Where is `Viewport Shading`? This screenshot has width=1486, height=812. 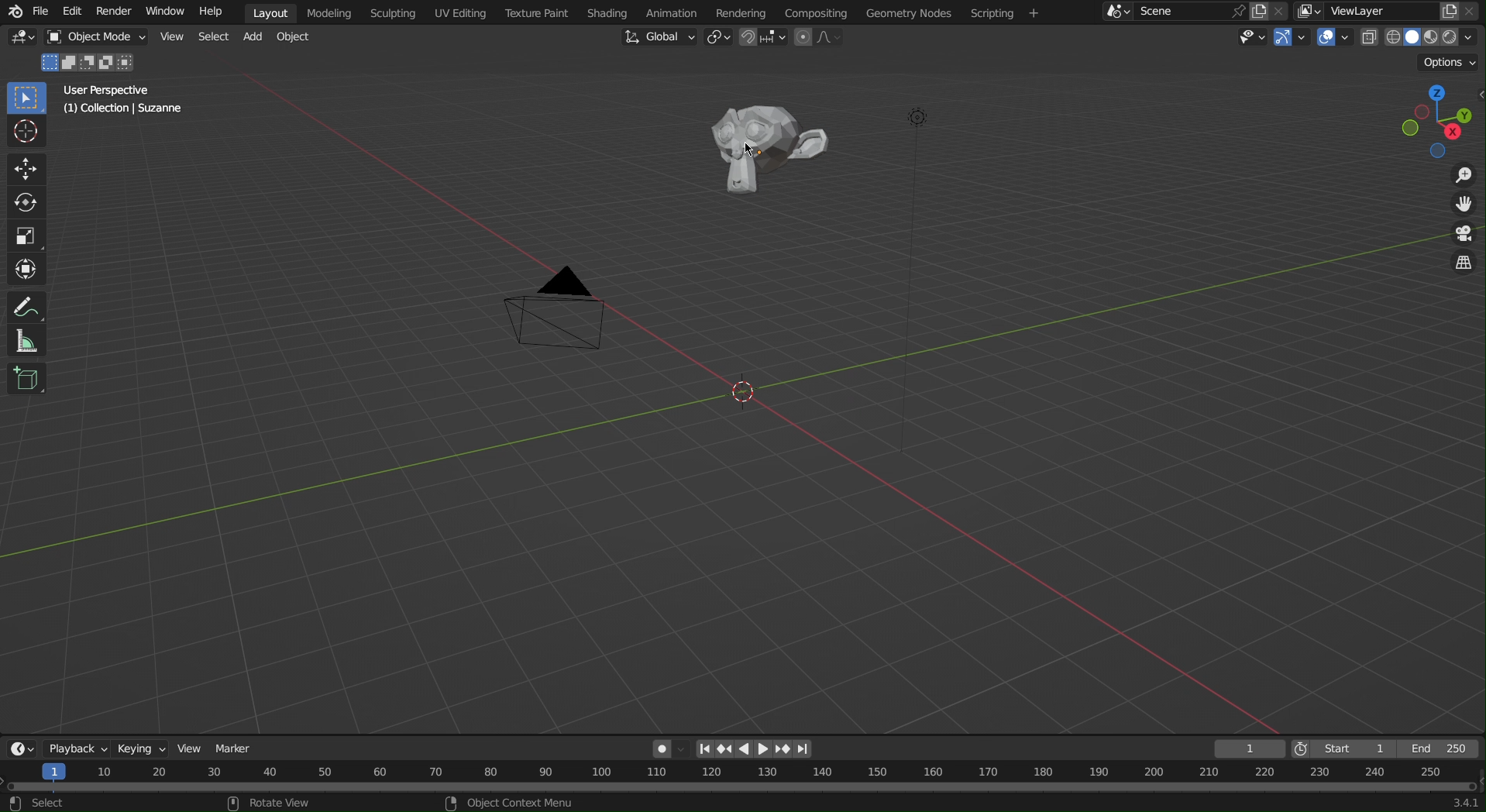
Viewport Shading is located at coordinates (1422, 36).